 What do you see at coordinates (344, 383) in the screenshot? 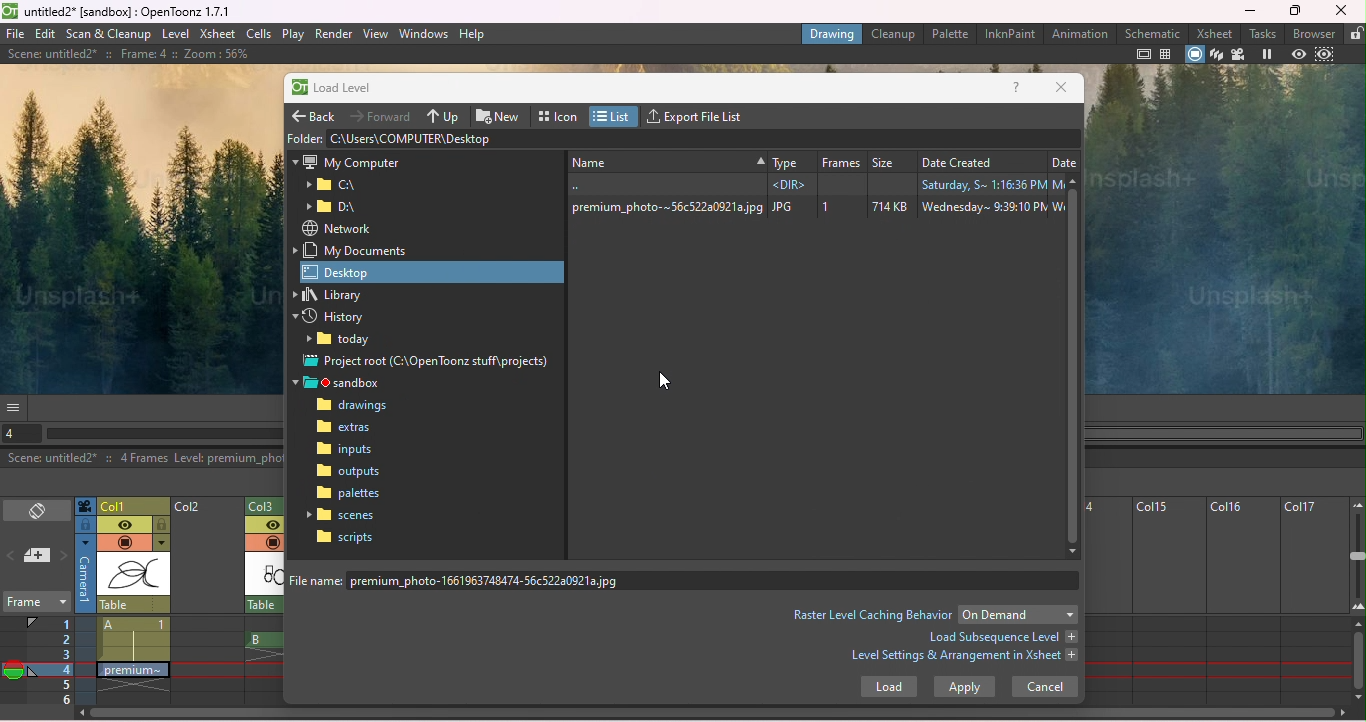
I see `Sandbox` at bounding box center [344, 383].